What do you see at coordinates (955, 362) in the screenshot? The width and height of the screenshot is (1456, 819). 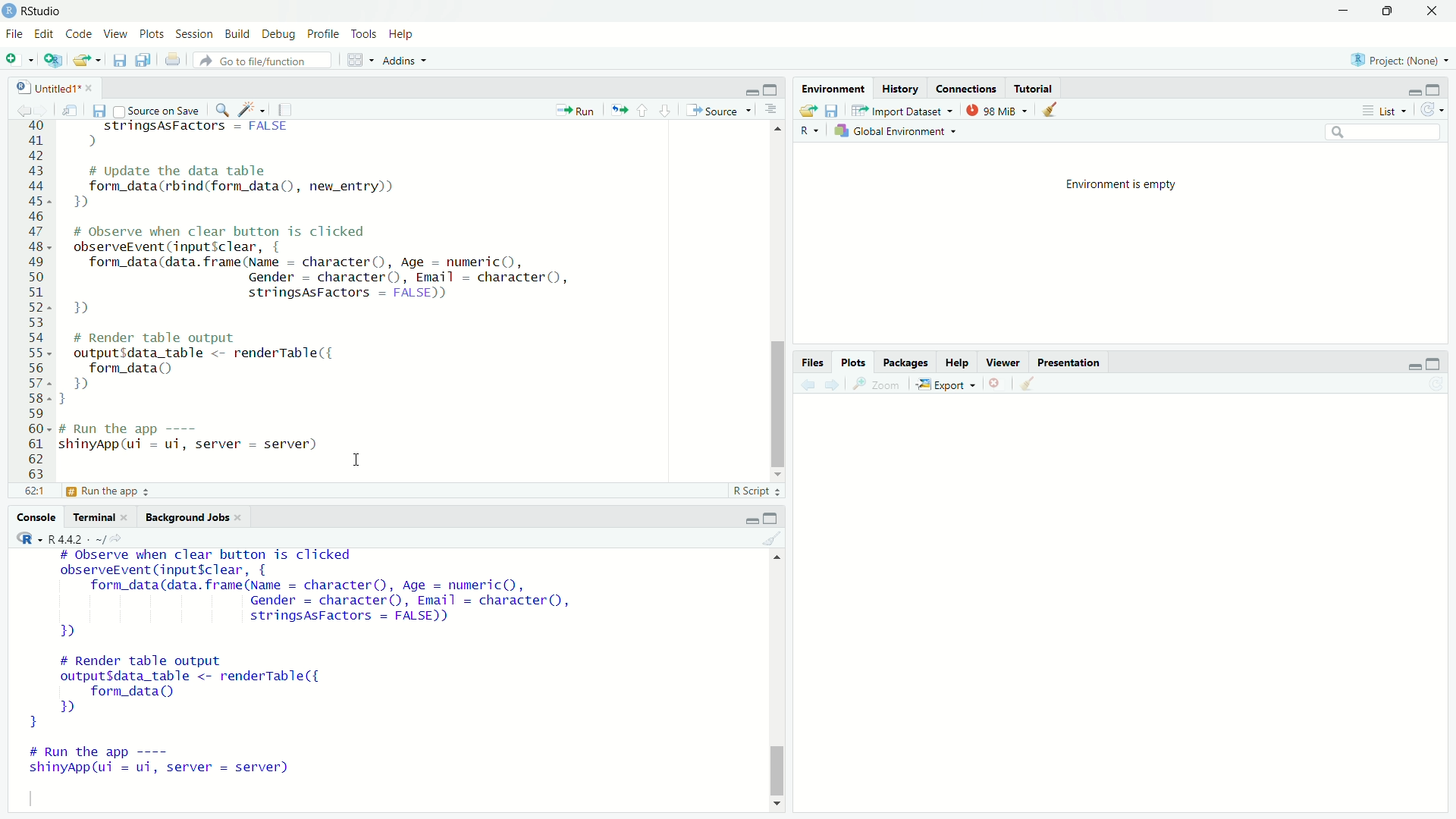 I see `help` at bounding box center [955, 362].